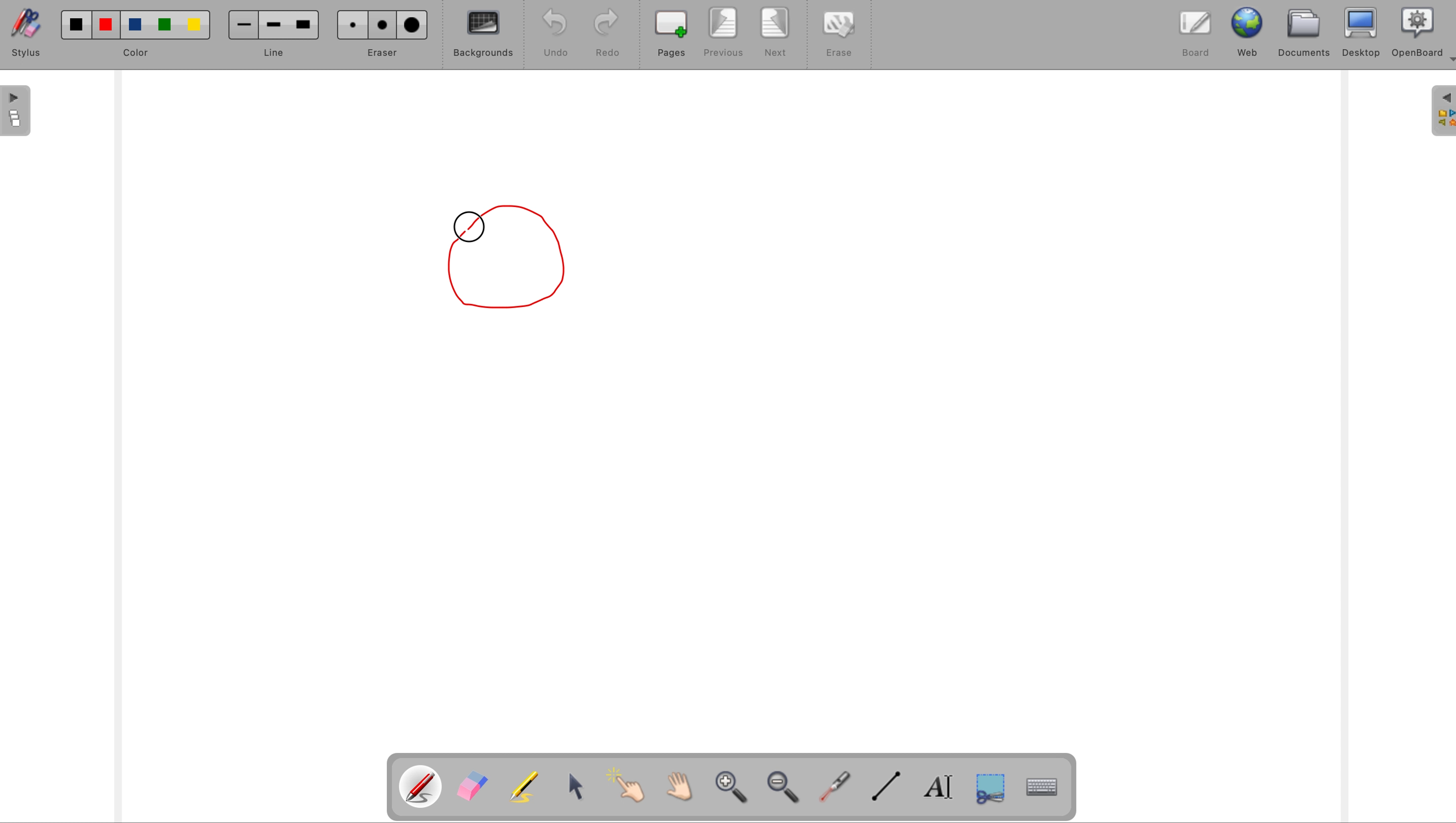 The width and height of the screenshot is (1456, 823). Describe the element at coordinates (15, 111) in the screenshot. I see `page` at that location.